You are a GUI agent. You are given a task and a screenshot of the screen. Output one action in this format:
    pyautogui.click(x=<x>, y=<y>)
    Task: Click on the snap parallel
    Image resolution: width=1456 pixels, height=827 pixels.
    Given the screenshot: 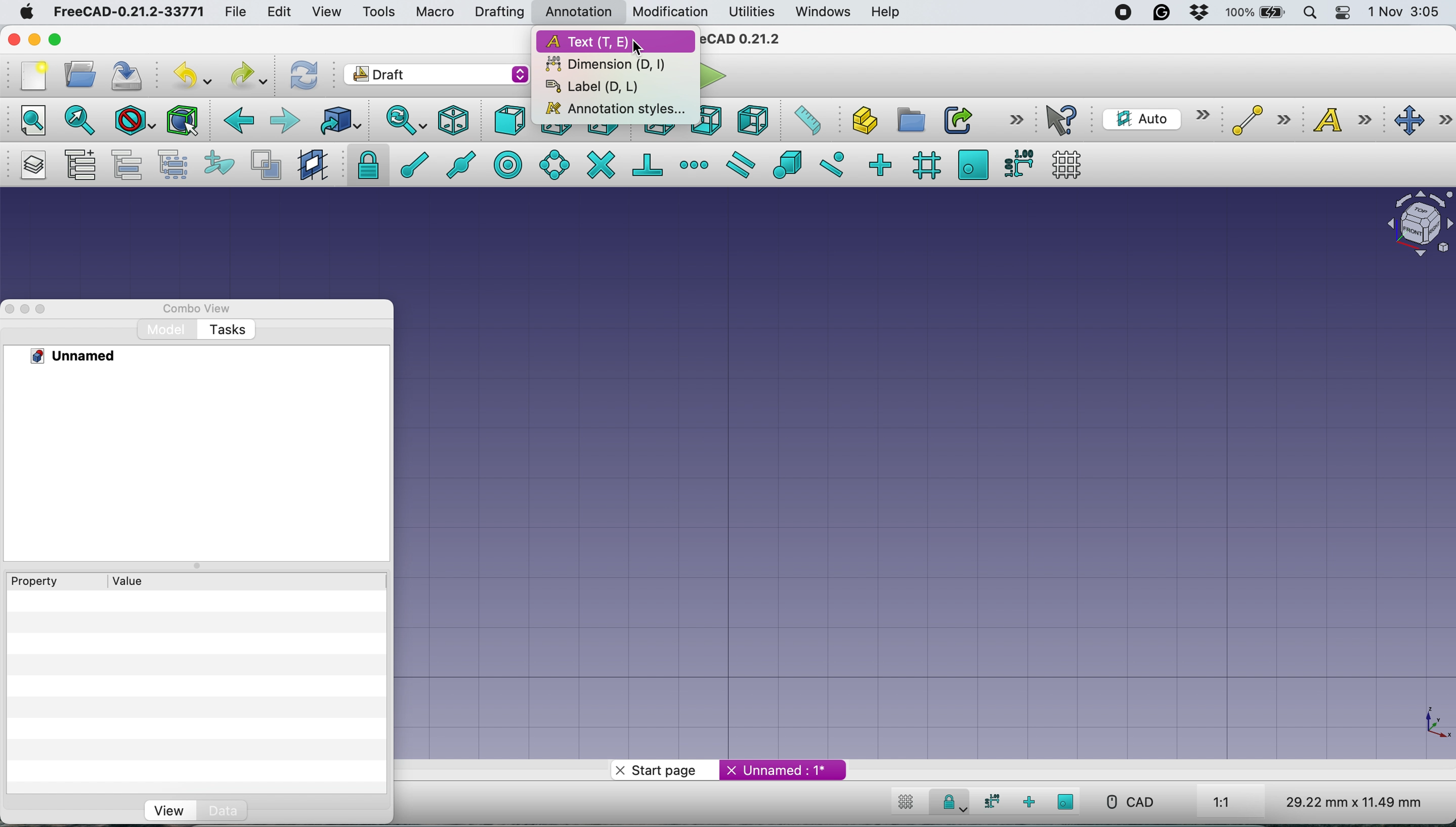 What is the action you would take?
    pyautogui.click(x=738, y=163)
    